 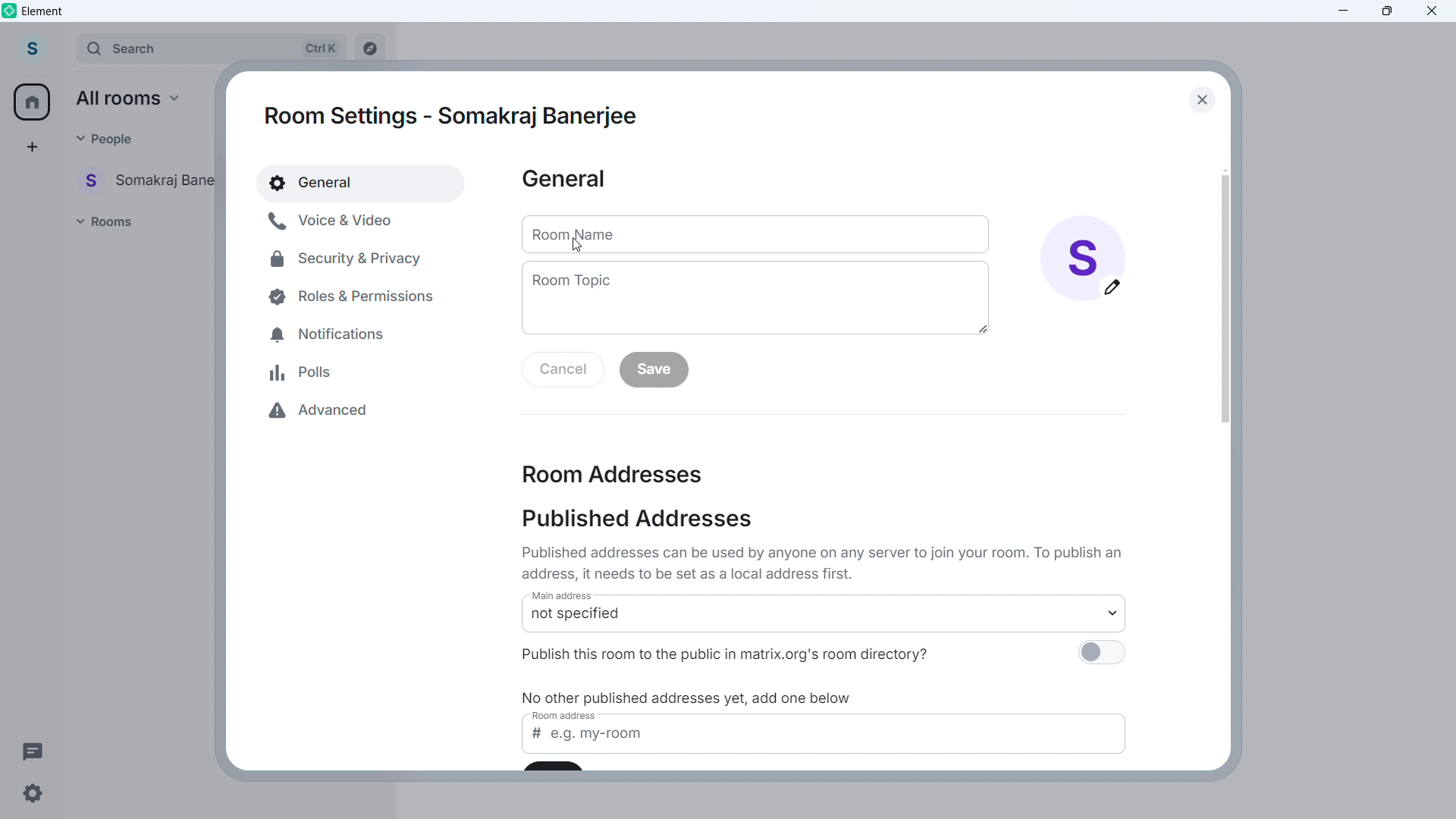 What do you see at coordinates (1100, 656) in the screenshot?
I see `publish this room to the public in matrix org's room directory switch` at bounding box center [1100, 656].